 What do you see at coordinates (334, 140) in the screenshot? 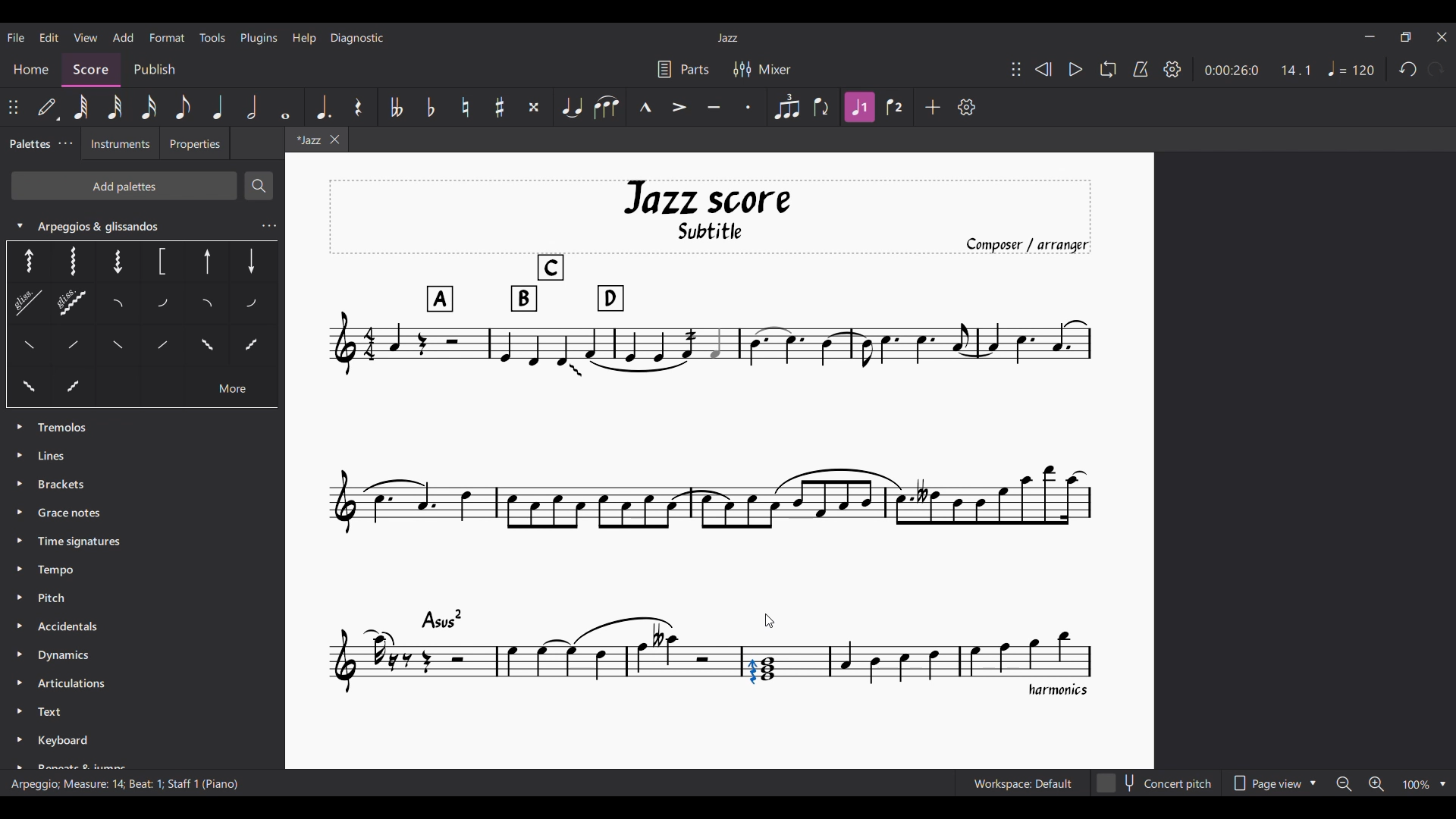
I see `Close tab` at bounding box center [334, 140].